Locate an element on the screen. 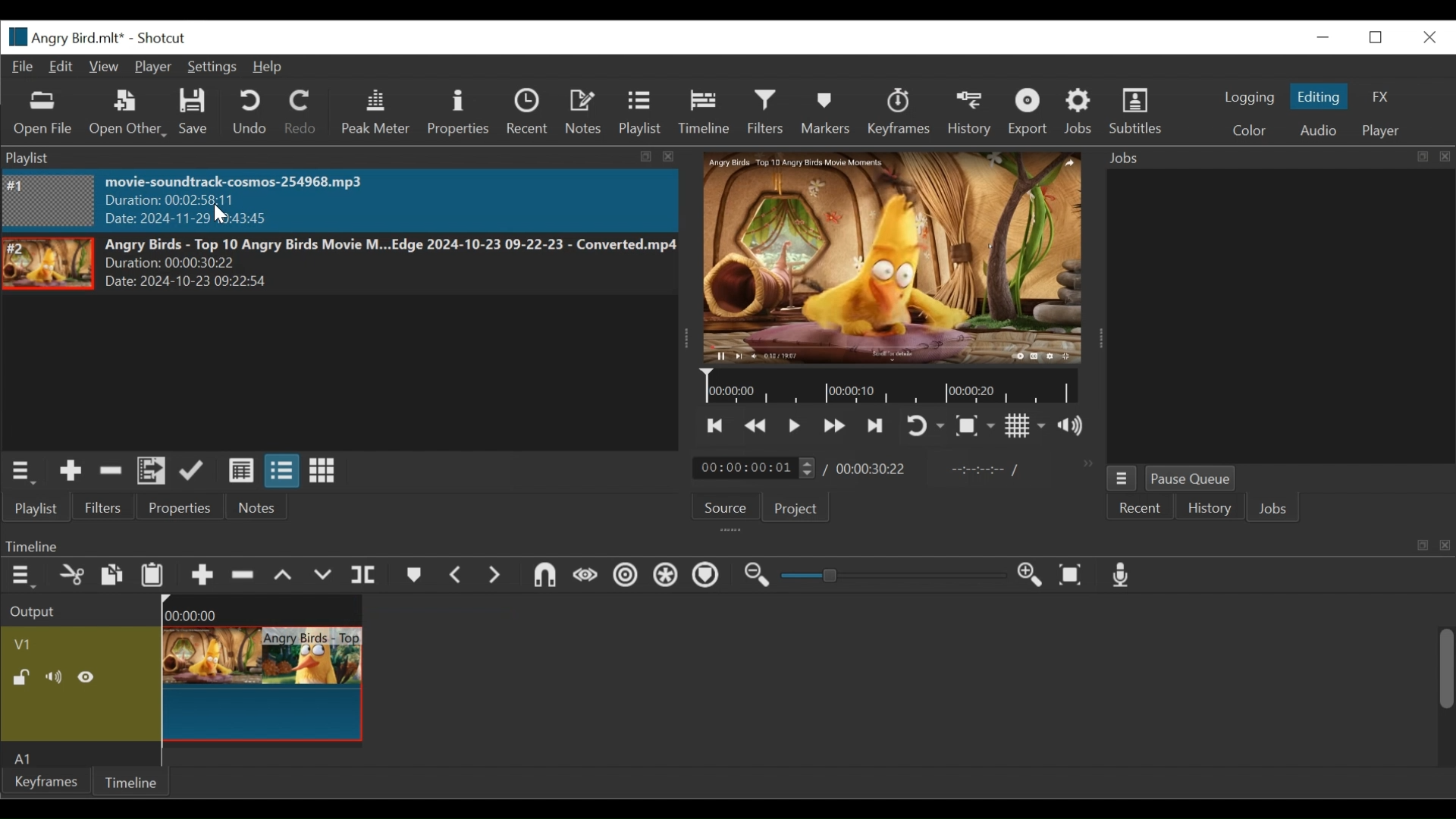 The height and width of the screenshot is (819, 1456). Update is located at coordinates (196, 471).